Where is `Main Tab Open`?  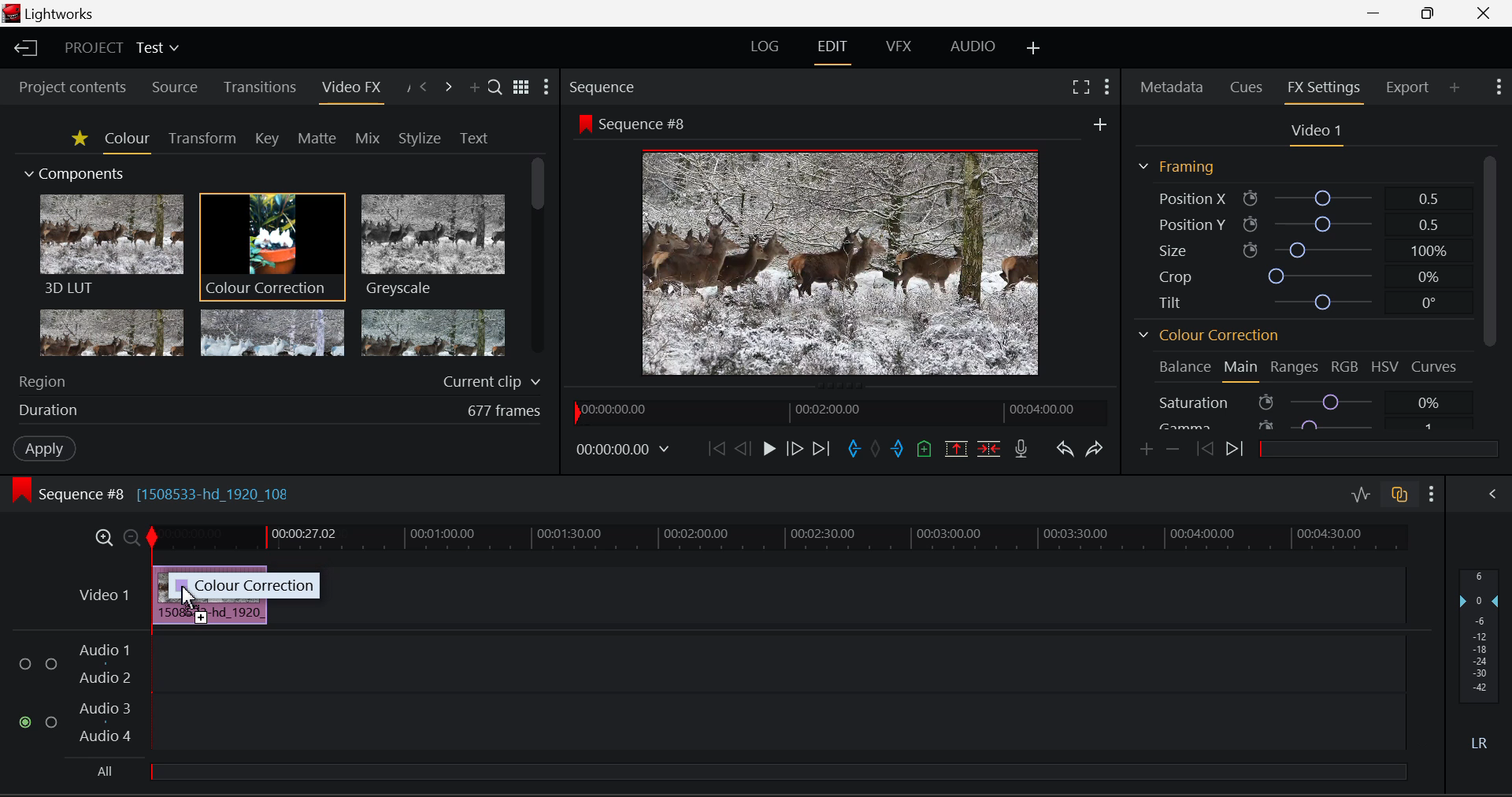 Main Tab Open is located at coordinates (1242, 370).